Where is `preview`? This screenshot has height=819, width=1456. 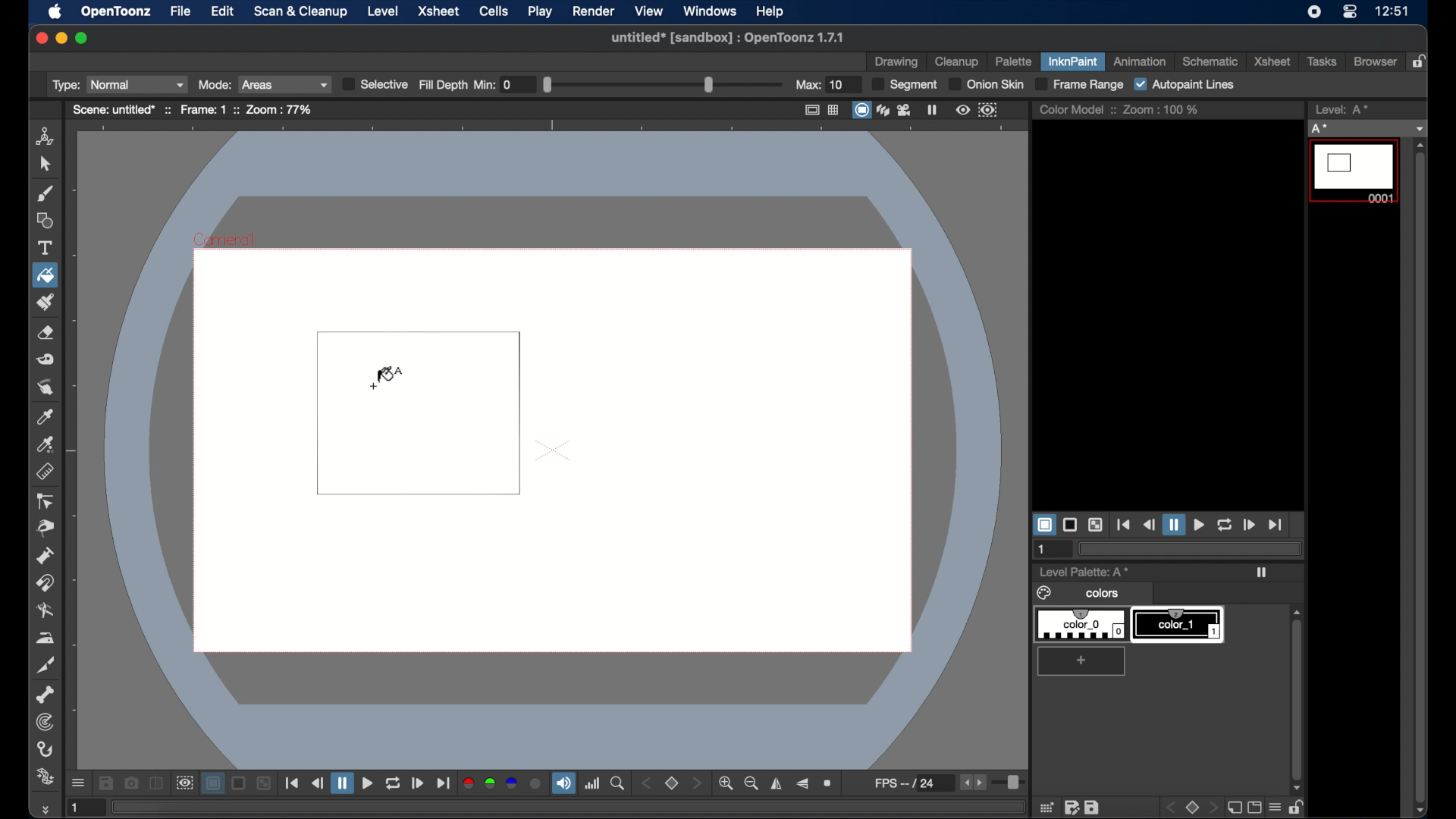
preview is located at coordinates (963, 110).